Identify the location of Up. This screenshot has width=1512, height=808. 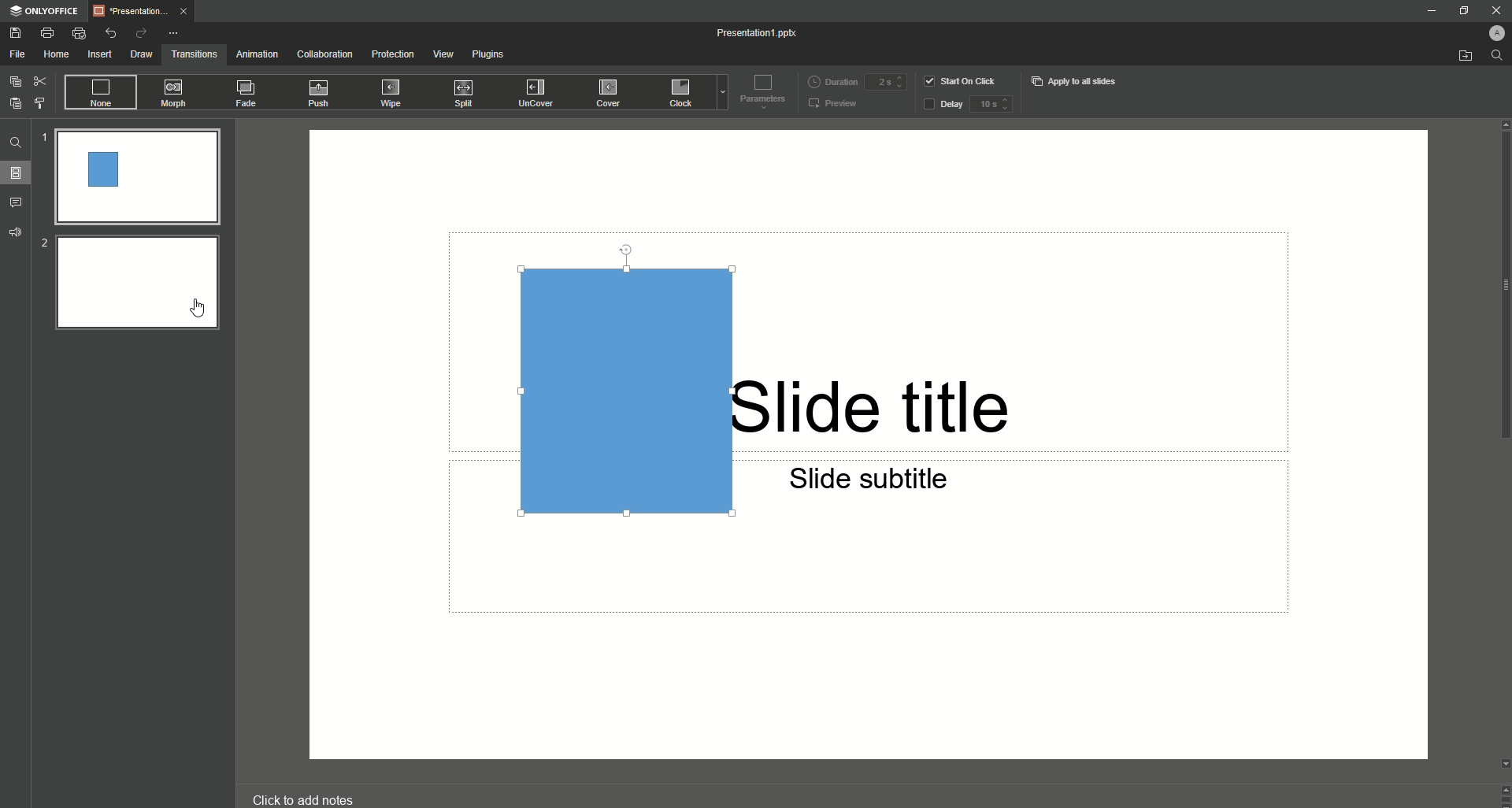
(1503, 124).